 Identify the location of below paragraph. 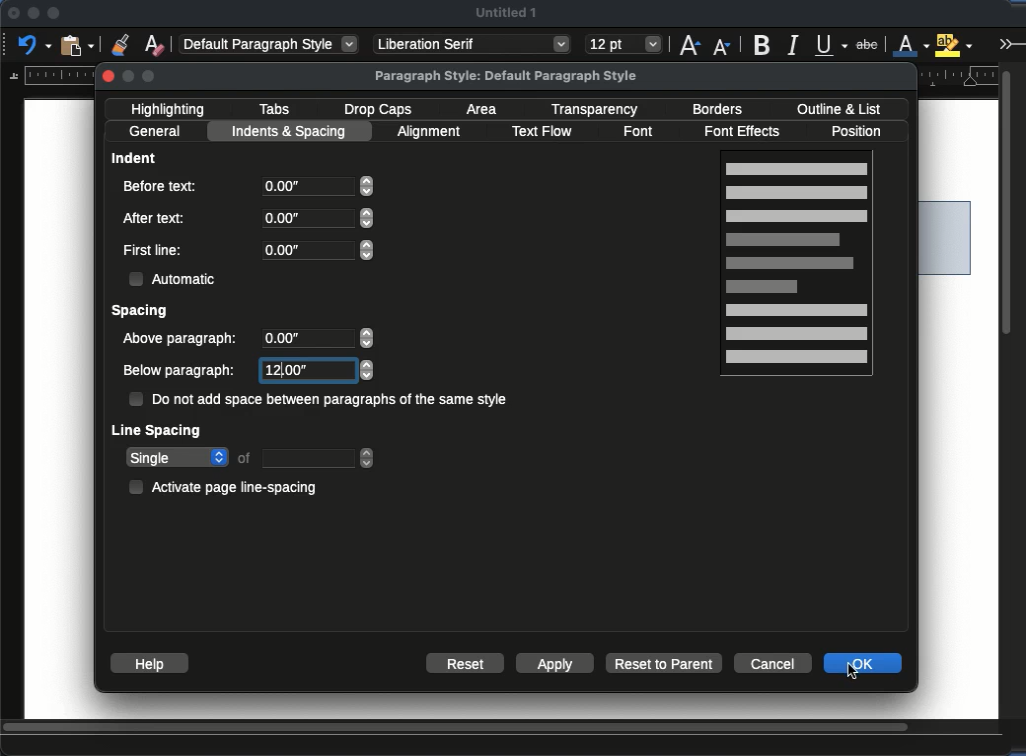
(182, 372).